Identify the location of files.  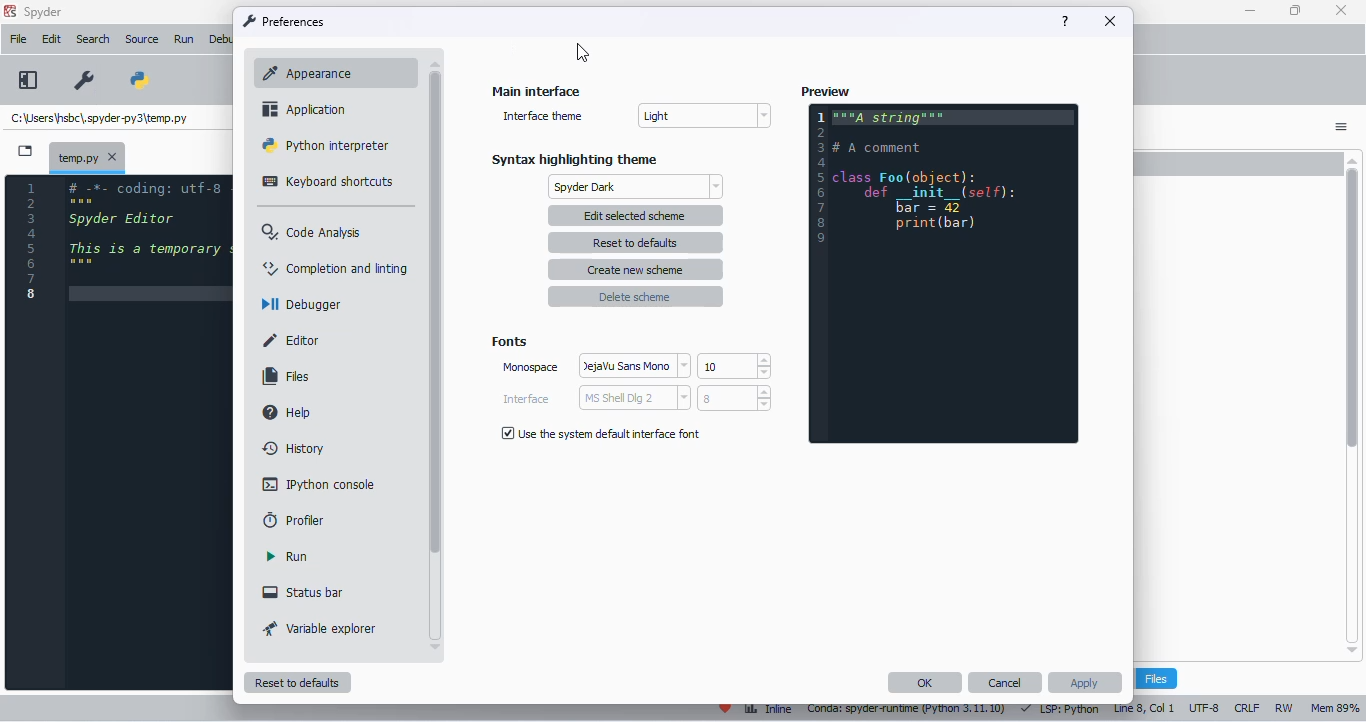
(1156, 678).